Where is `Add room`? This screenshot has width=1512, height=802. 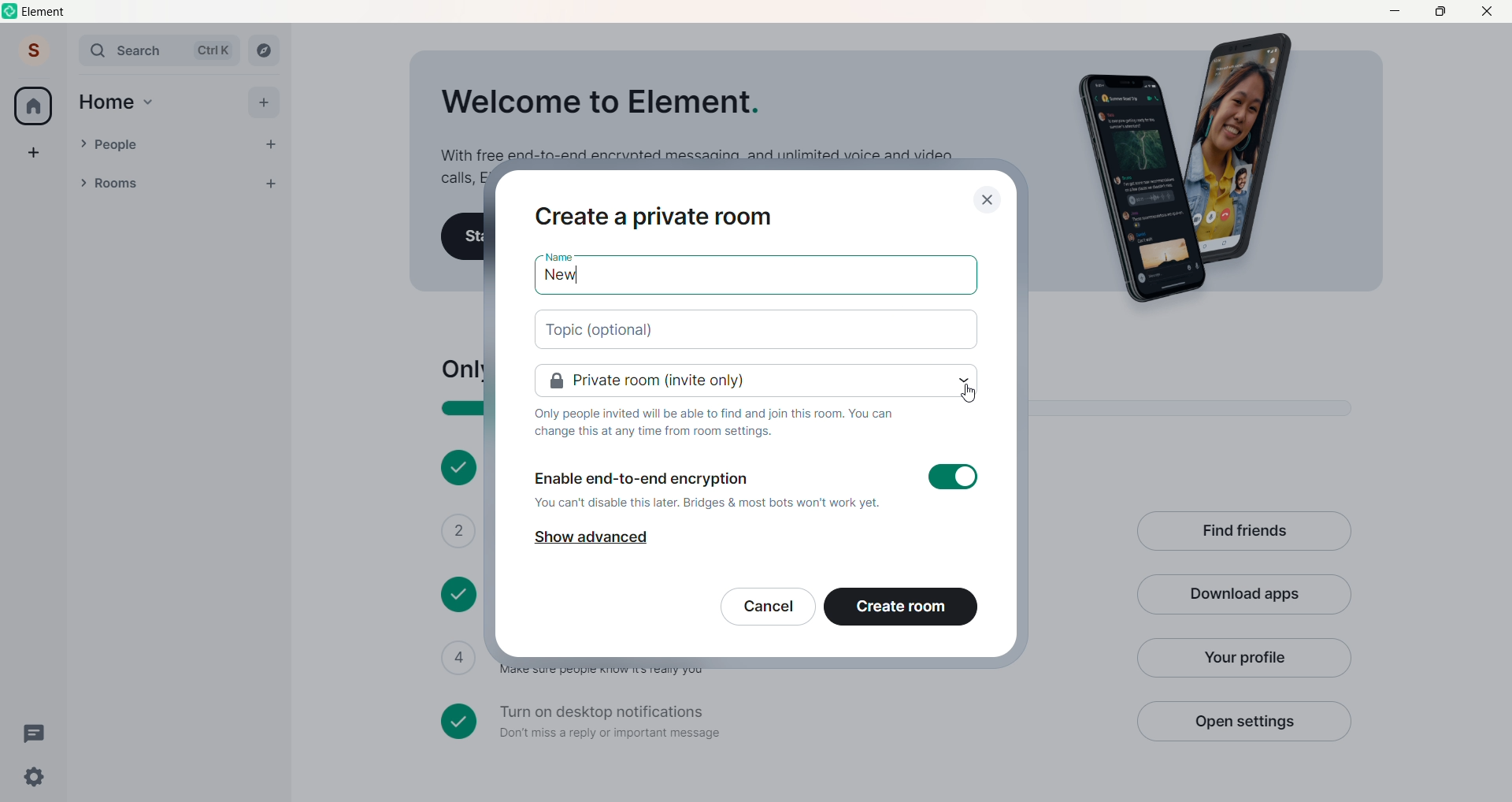
Add room is located at coordinates (276, 181).